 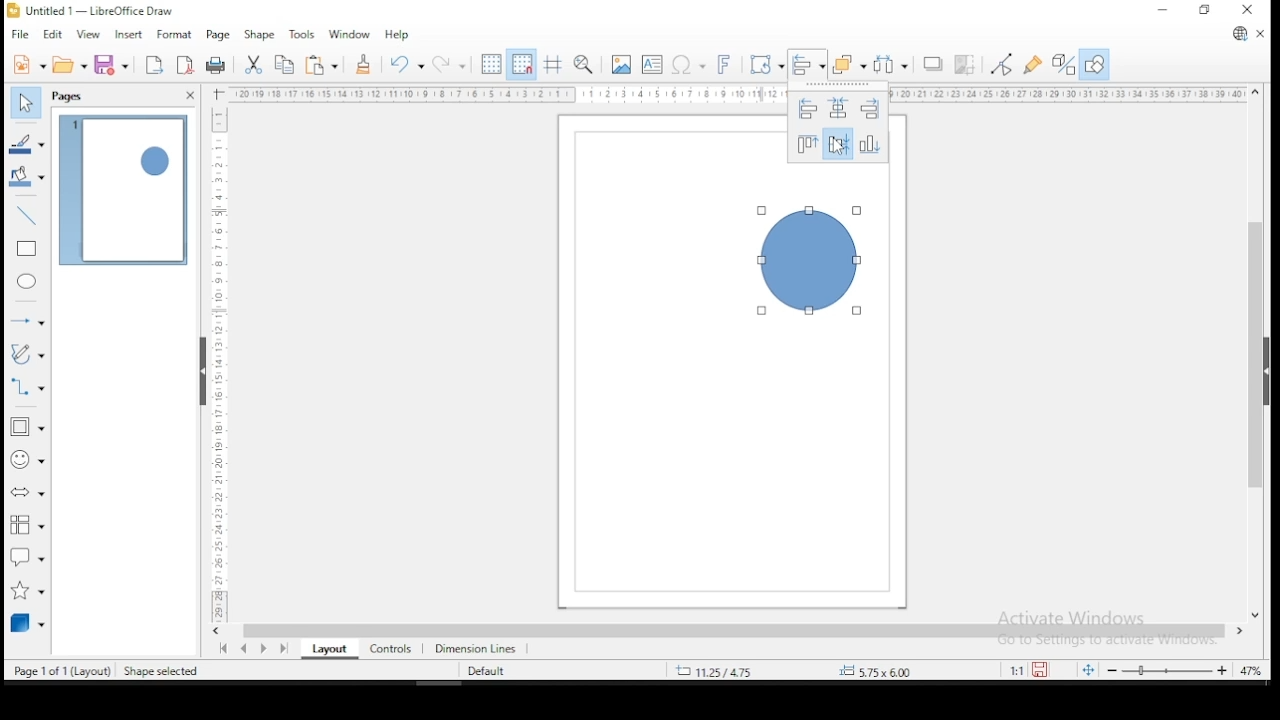 What do you see at coordinates (686, 63) in the screenshot?
I see `insert special characters` at bounding box center [686, 63].